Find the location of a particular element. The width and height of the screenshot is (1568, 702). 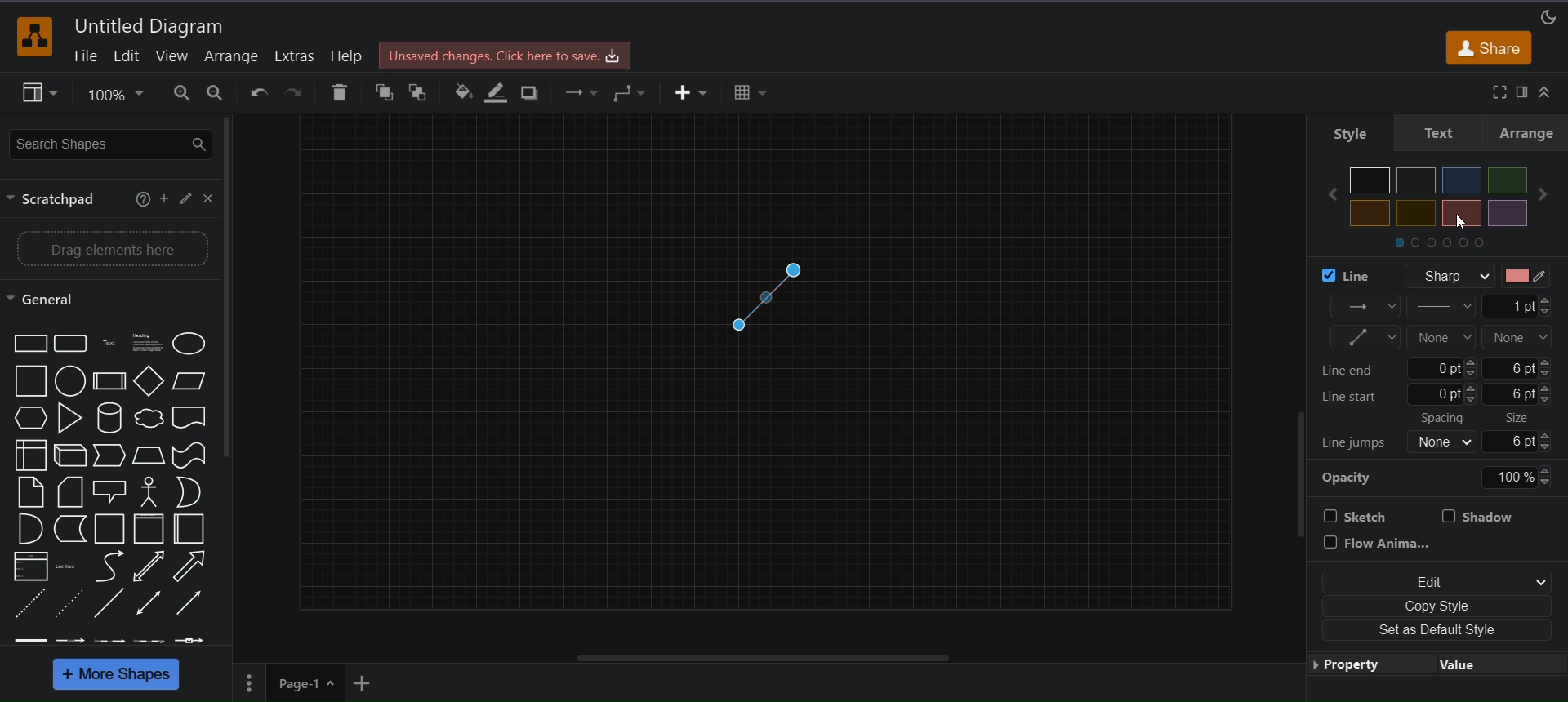

line color is located at coordinates (498, 91).